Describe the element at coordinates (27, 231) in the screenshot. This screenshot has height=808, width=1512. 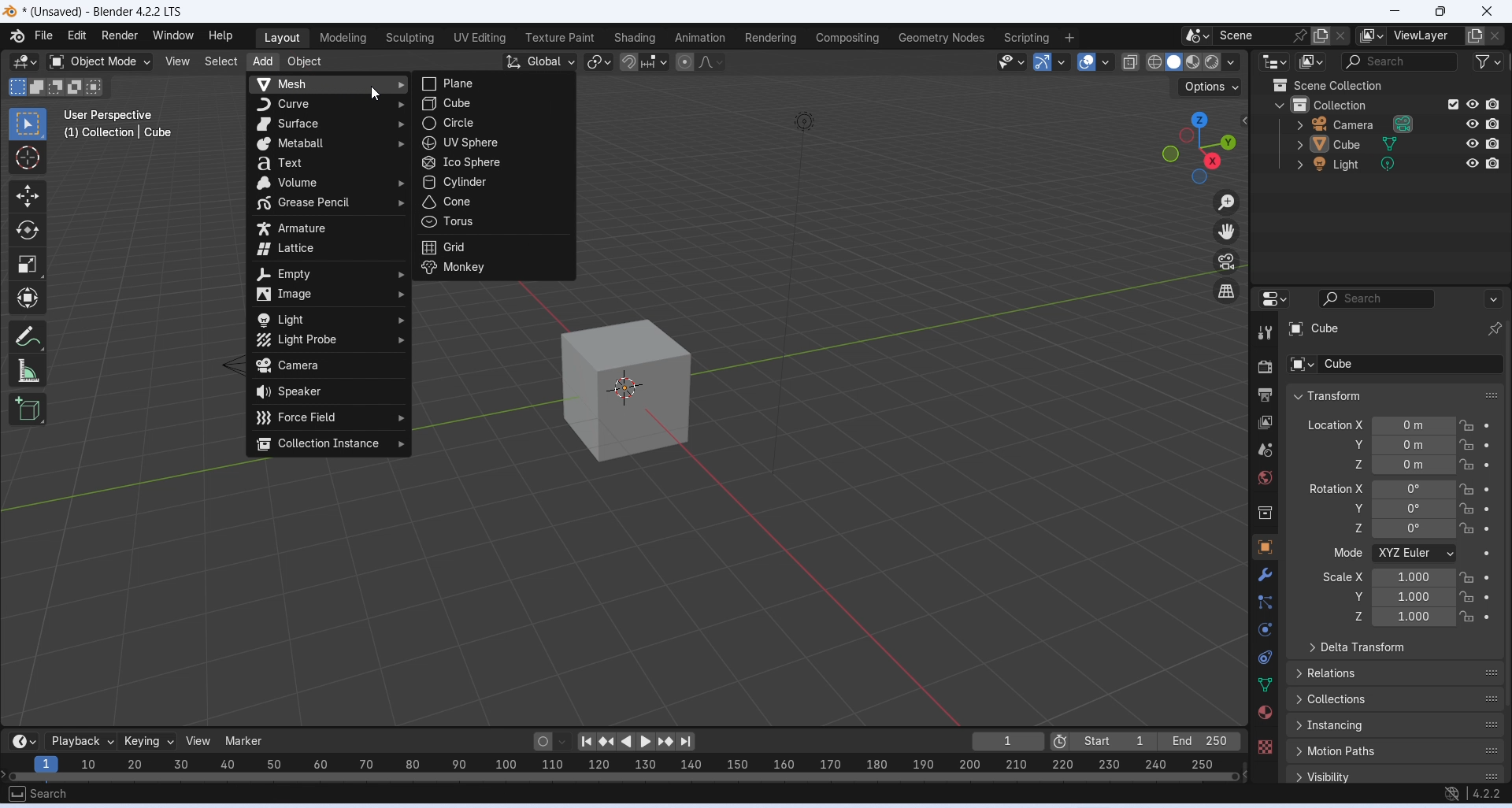
I see `Rotate` at that location.